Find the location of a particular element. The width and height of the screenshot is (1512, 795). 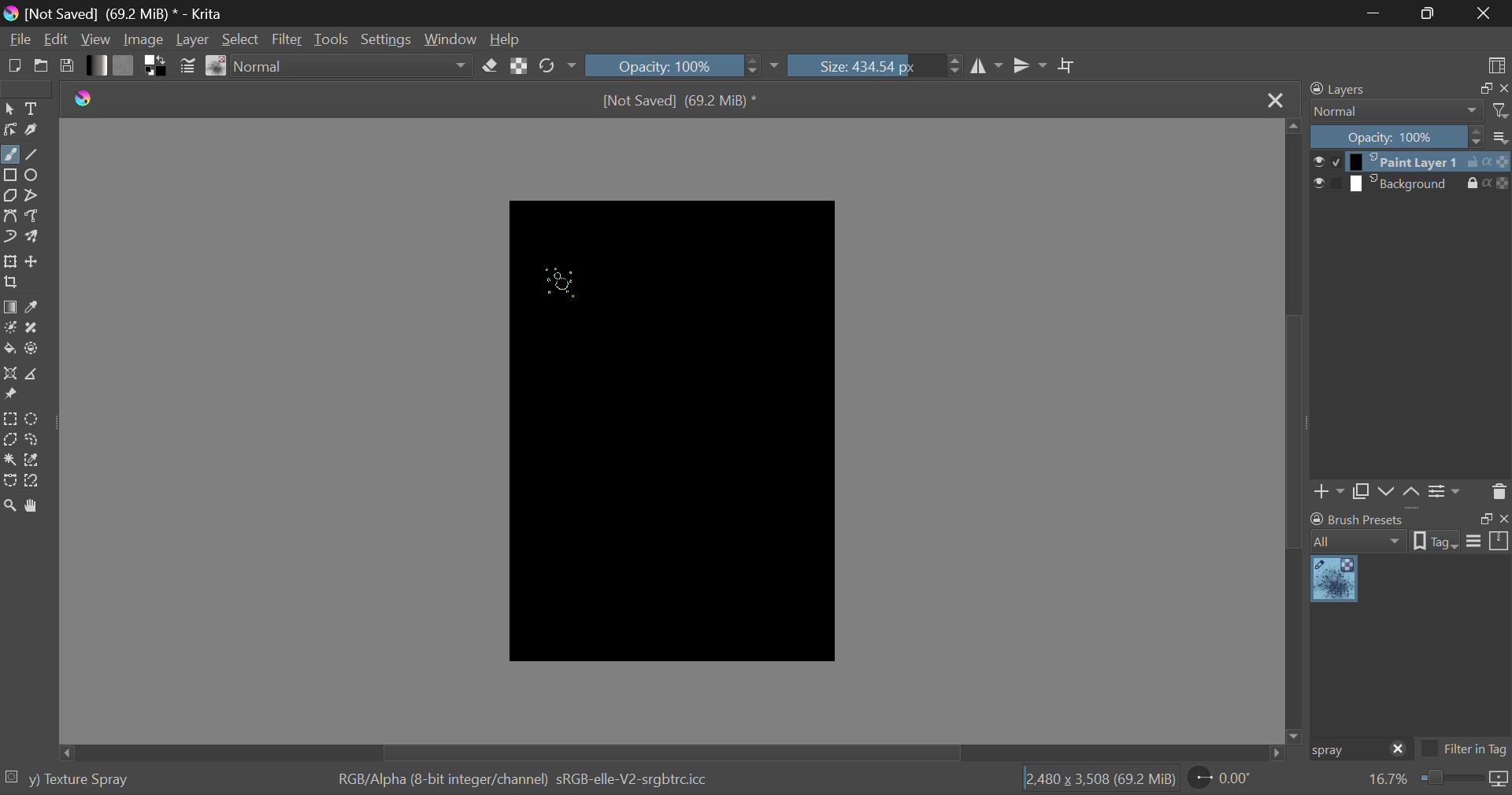

logo is located at coordinates (84, 99).